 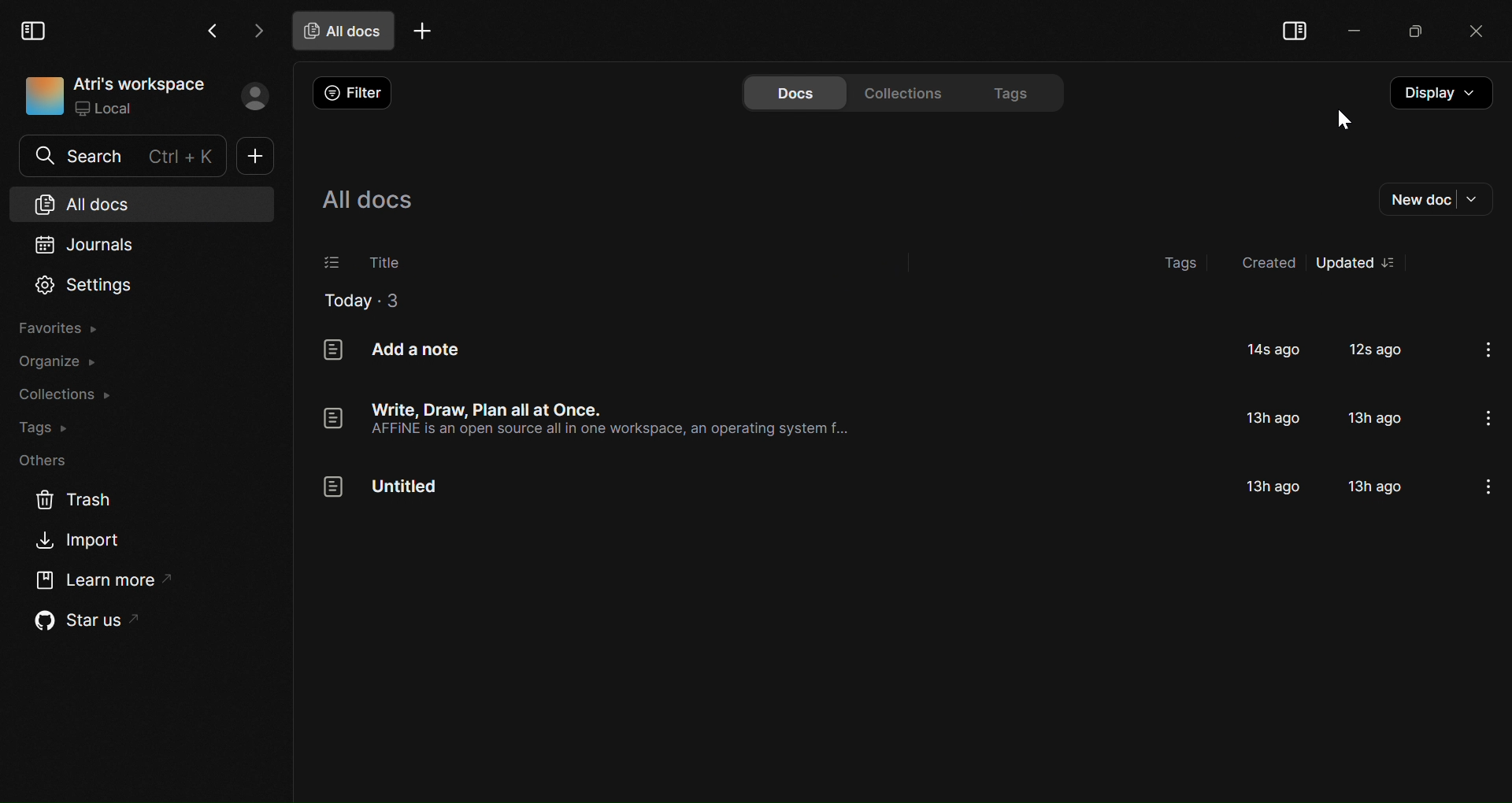 What do you see at coordinates (1344, 262) in the screenshot?
I see `Updated` at bounding box center [1344, 262].